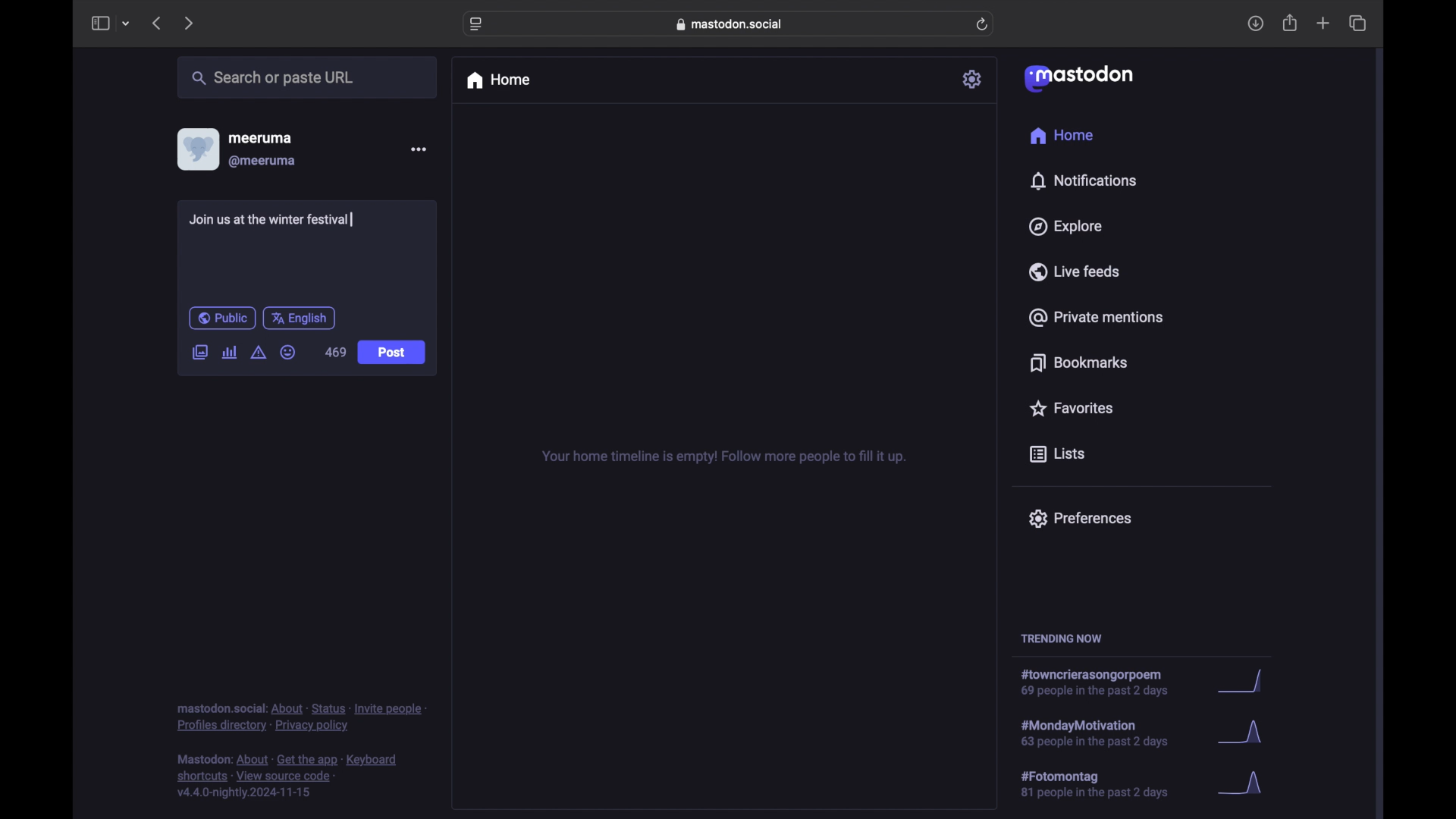 This screenshot has height=819, width=1456. Describe the element at coordinates (1105, 785) in the screenshot. I see `hashtag trend` at that location.